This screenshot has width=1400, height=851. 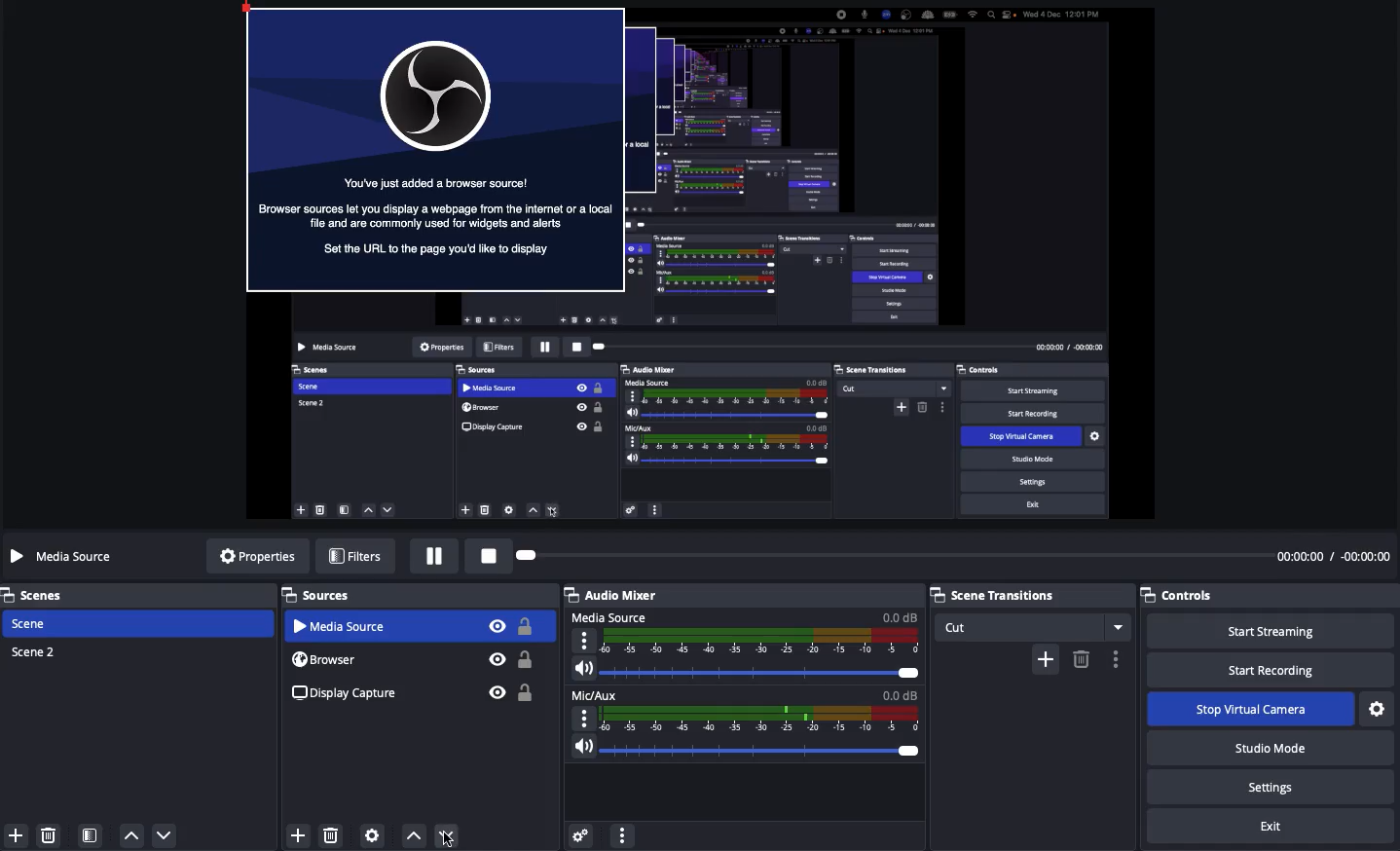 What do you see at coordinates (628, 834) in the screenshot?
I see `More` at bounding box center [628, 834].